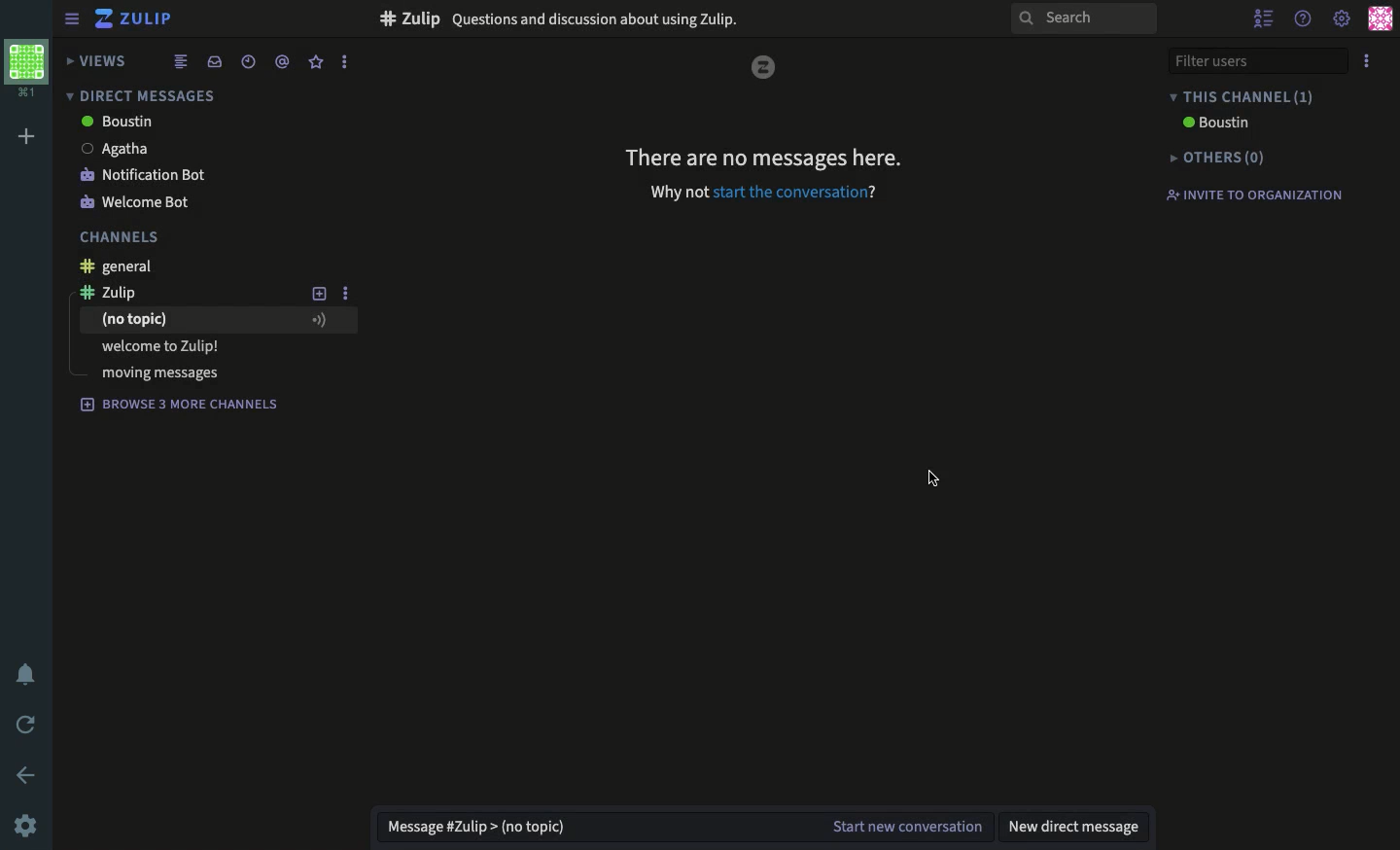  I want to click on start the conversation, so click(800, 194).